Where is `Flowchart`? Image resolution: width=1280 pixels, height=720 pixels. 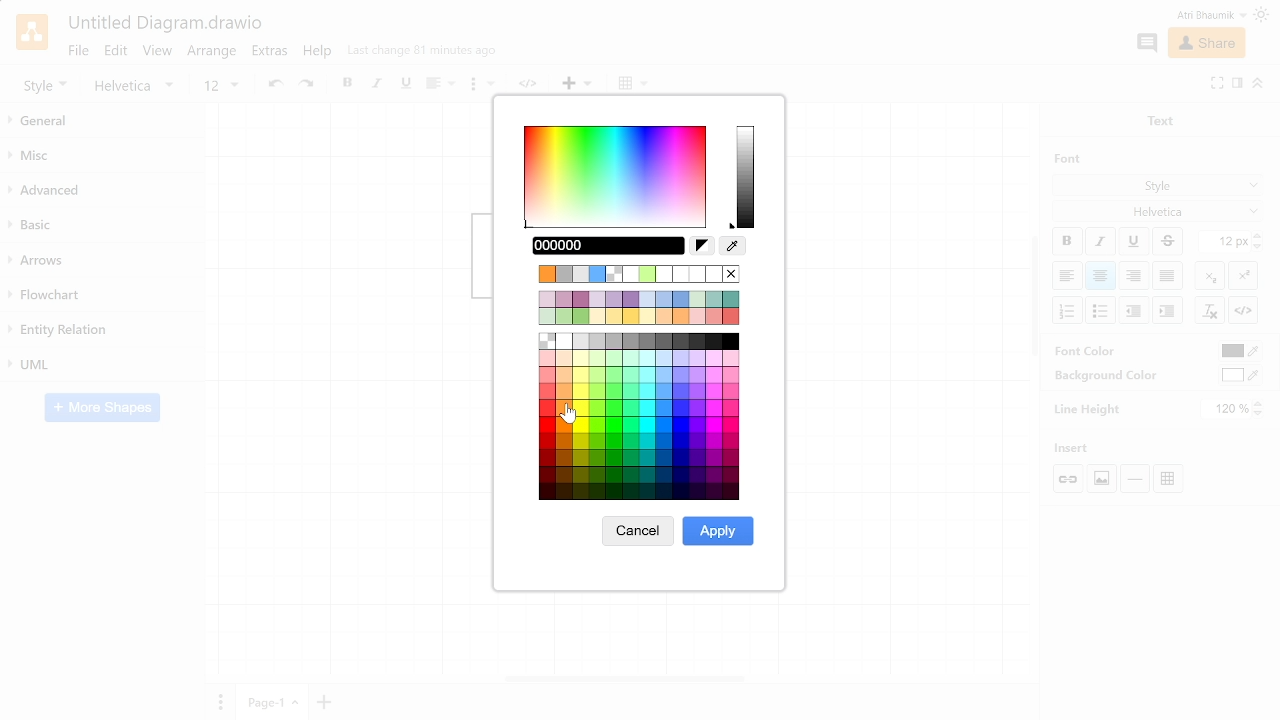 Flowchart is located at coordinates (98, 296).